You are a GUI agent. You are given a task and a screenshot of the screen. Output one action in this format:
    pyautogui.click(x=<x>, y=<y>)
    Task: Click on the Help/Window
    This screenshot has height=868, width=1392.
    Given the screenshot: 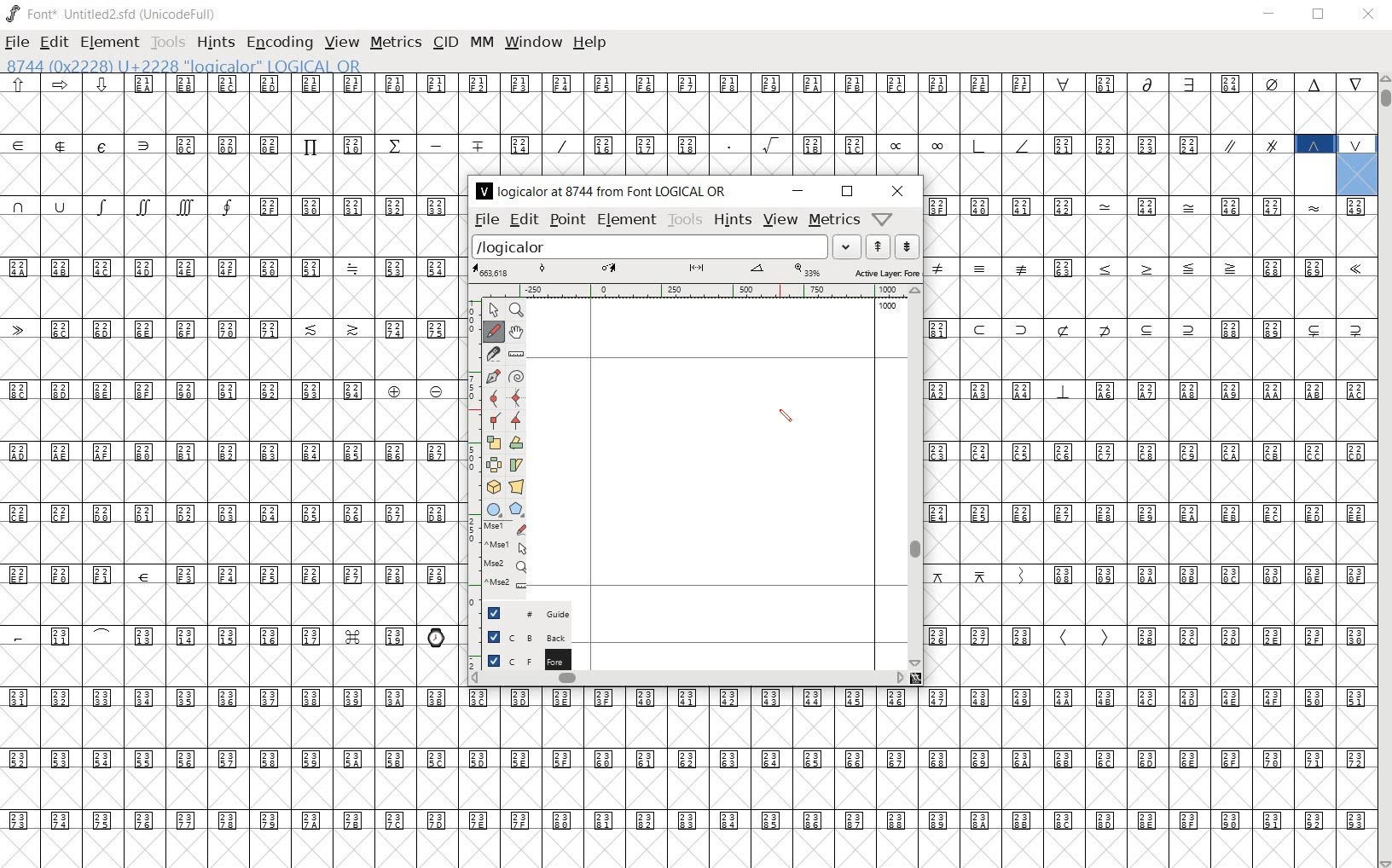 What is the action you would take?
    pyautogui.click(x=880, y=218)
    